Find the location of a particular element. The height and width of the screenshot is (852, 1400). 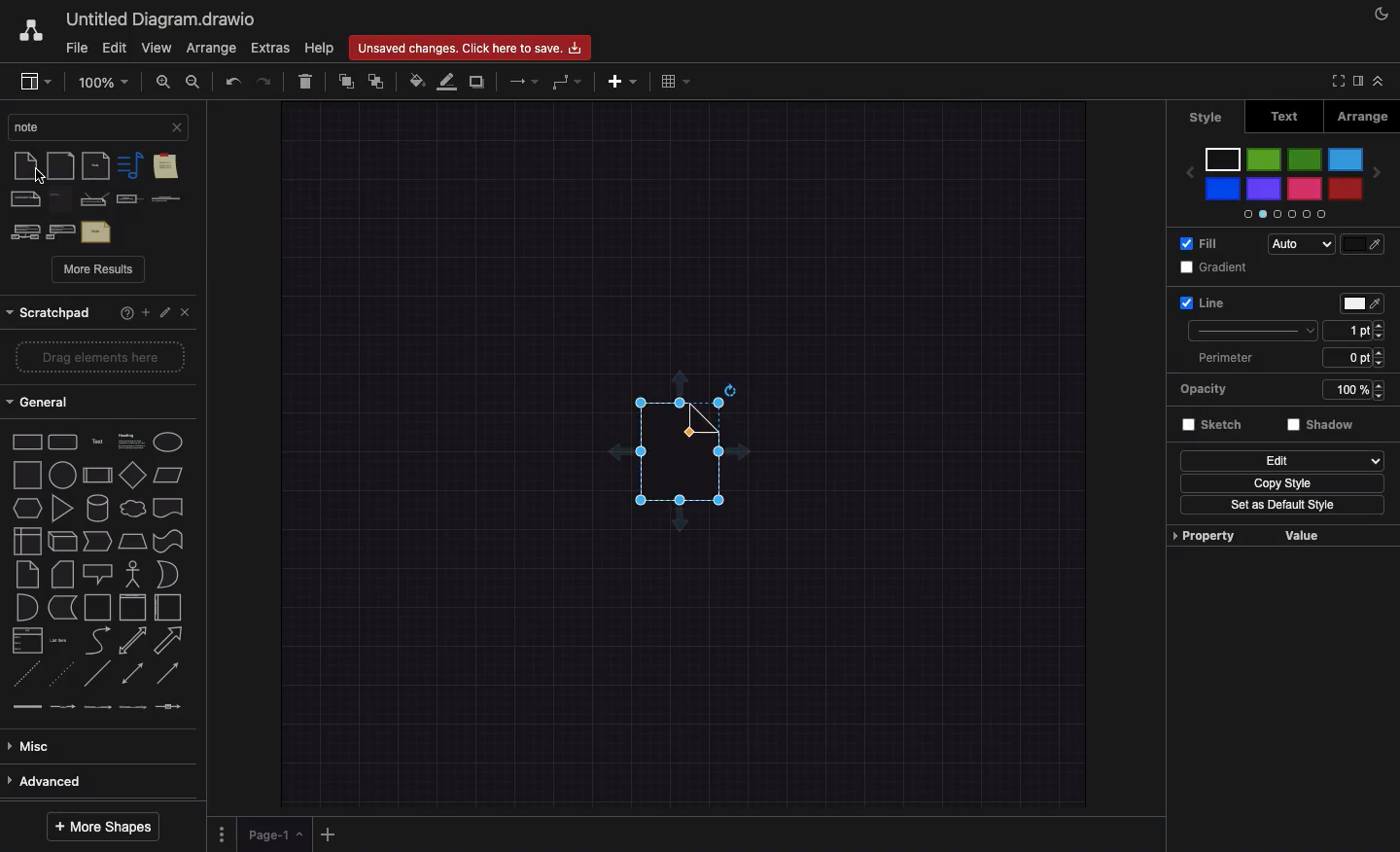

rotate  is located at coordinates (730, 388).